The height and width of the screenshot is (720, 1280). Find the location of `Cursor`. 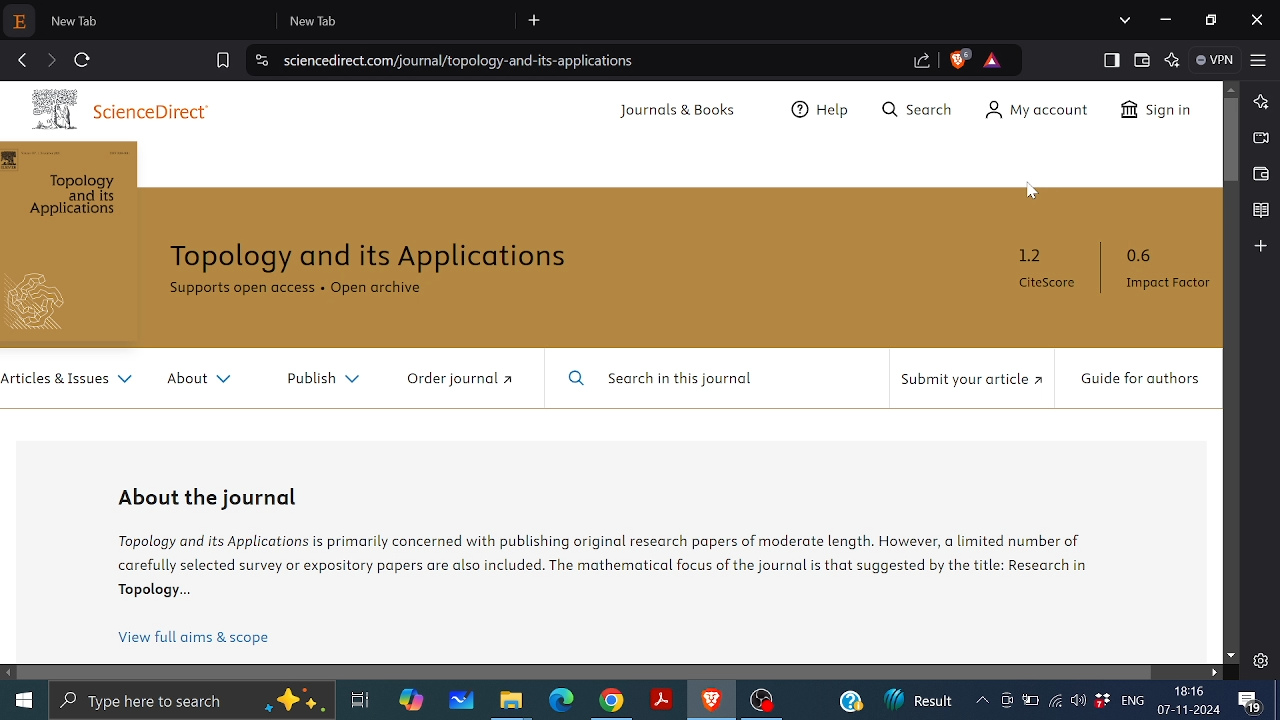

Cursor is located at coordinates (1030, 196).